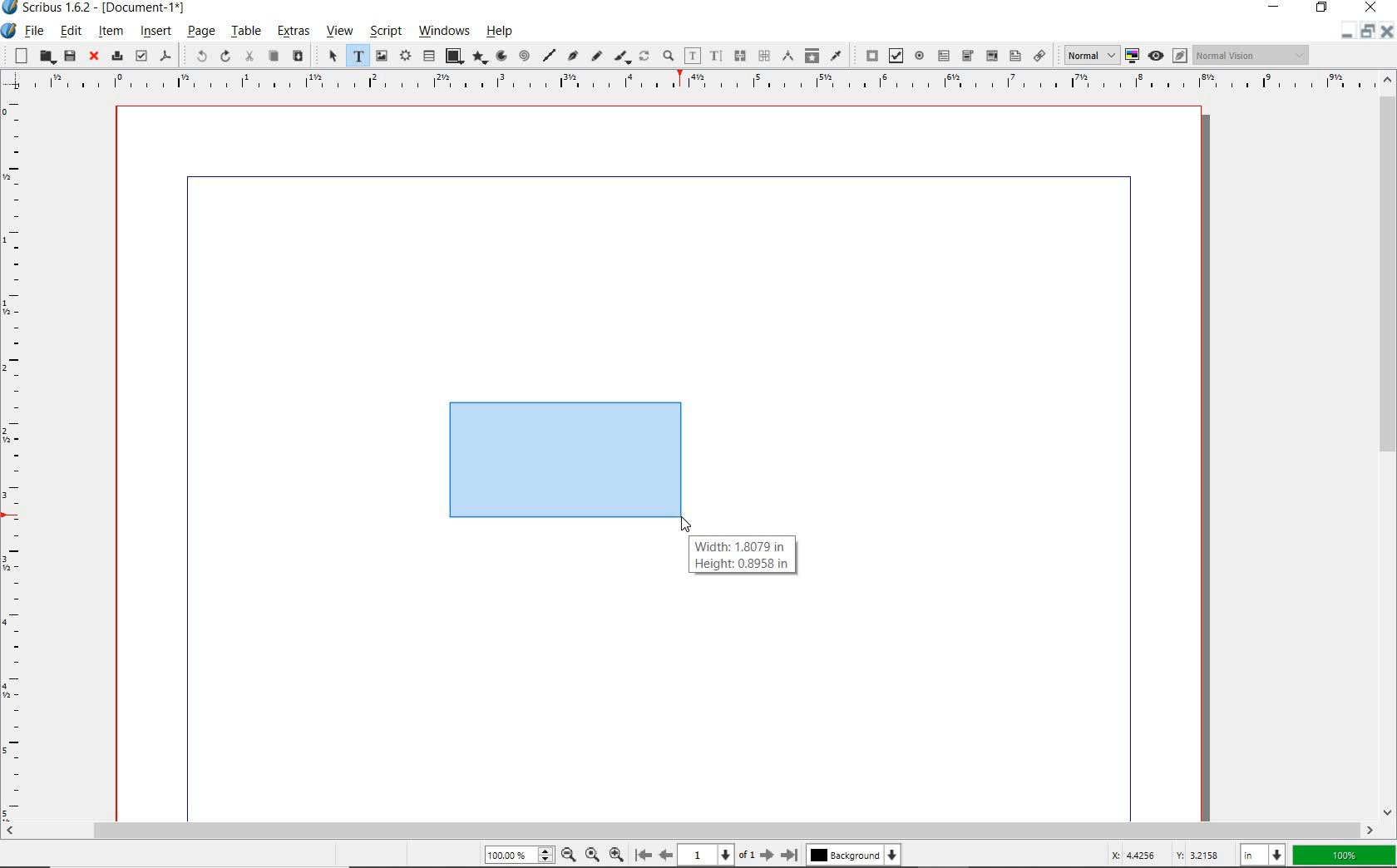 This screenshot has width=1397, height=868. Describe the element at coordinates (428, 57) in the screenshot. I see `table` at that location.